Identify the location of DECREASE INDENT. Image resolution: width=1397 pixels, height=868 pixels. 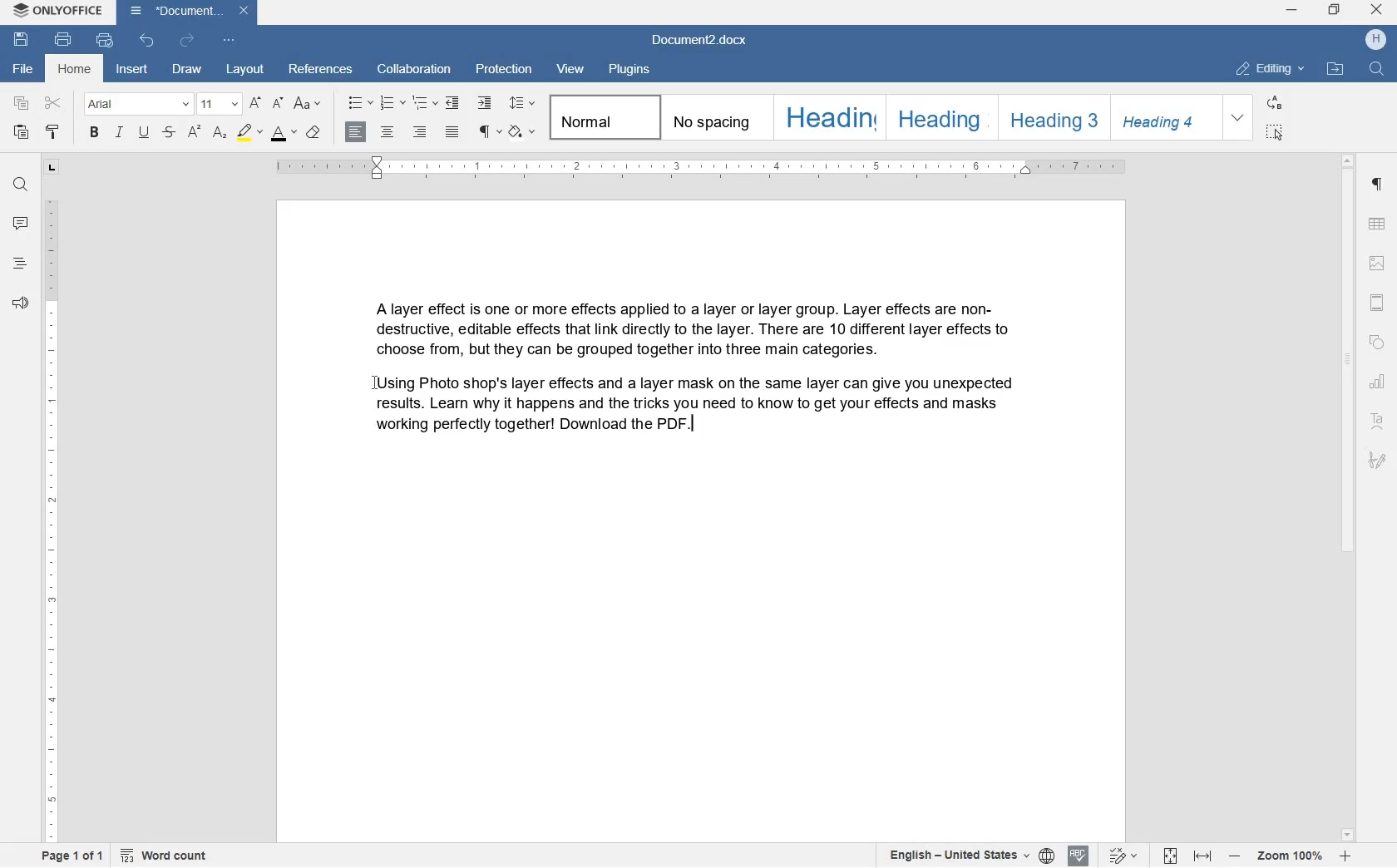
(453, 104).